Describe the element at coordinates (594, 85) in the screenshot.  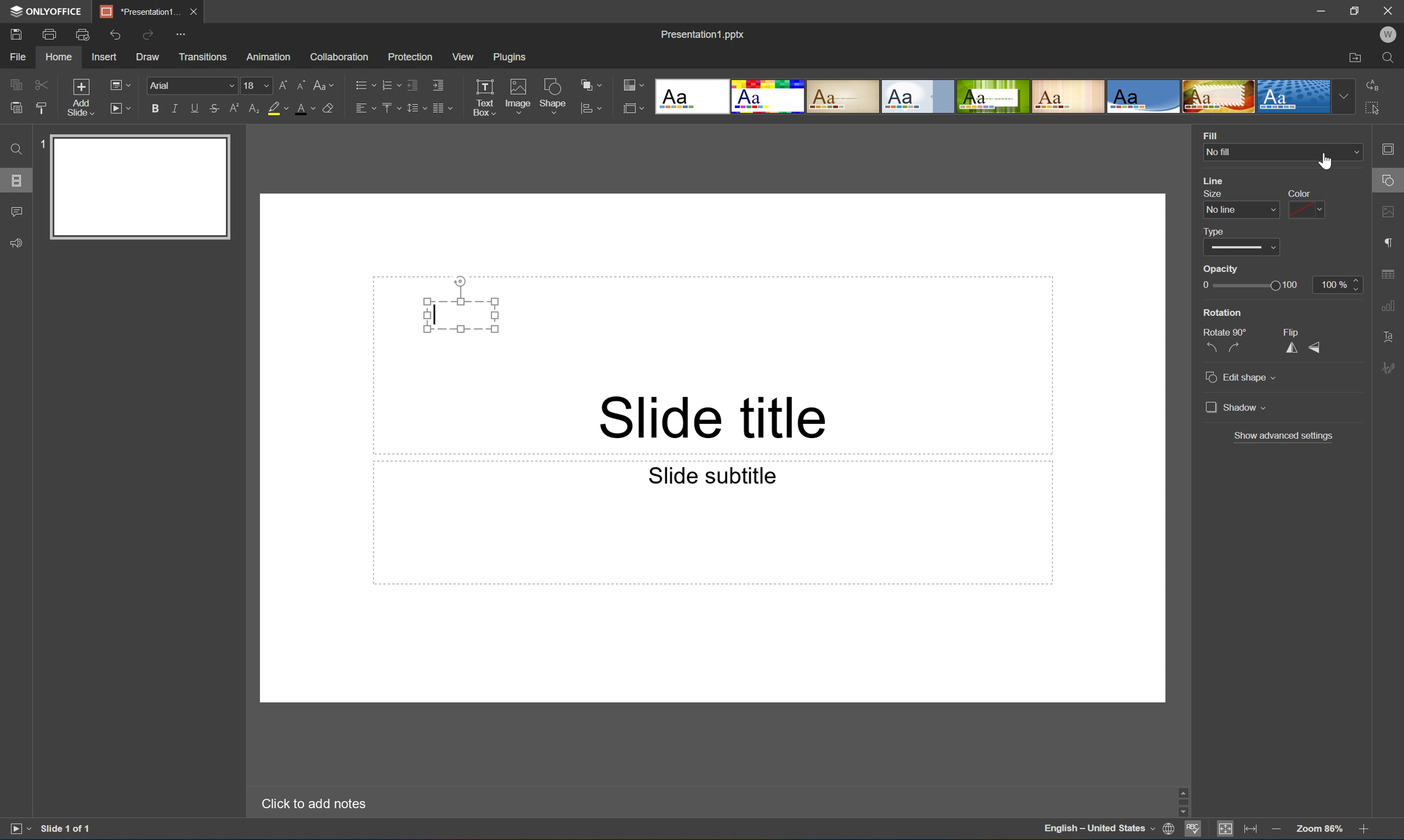
I see `Arrange shape` at that location.